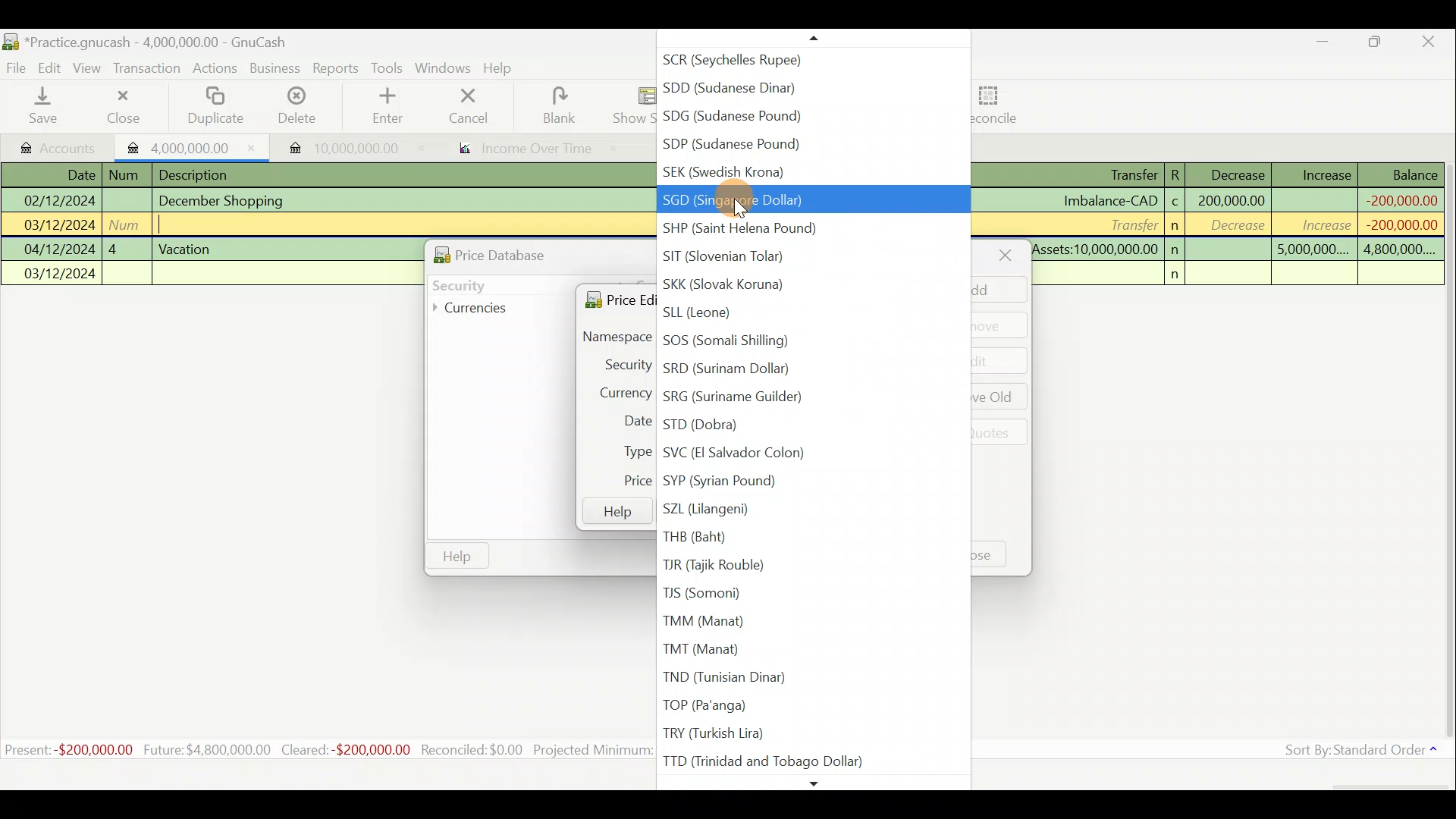  Describe the element at coordinates (1177, 249) in the screenshot. I see `n` at that location.